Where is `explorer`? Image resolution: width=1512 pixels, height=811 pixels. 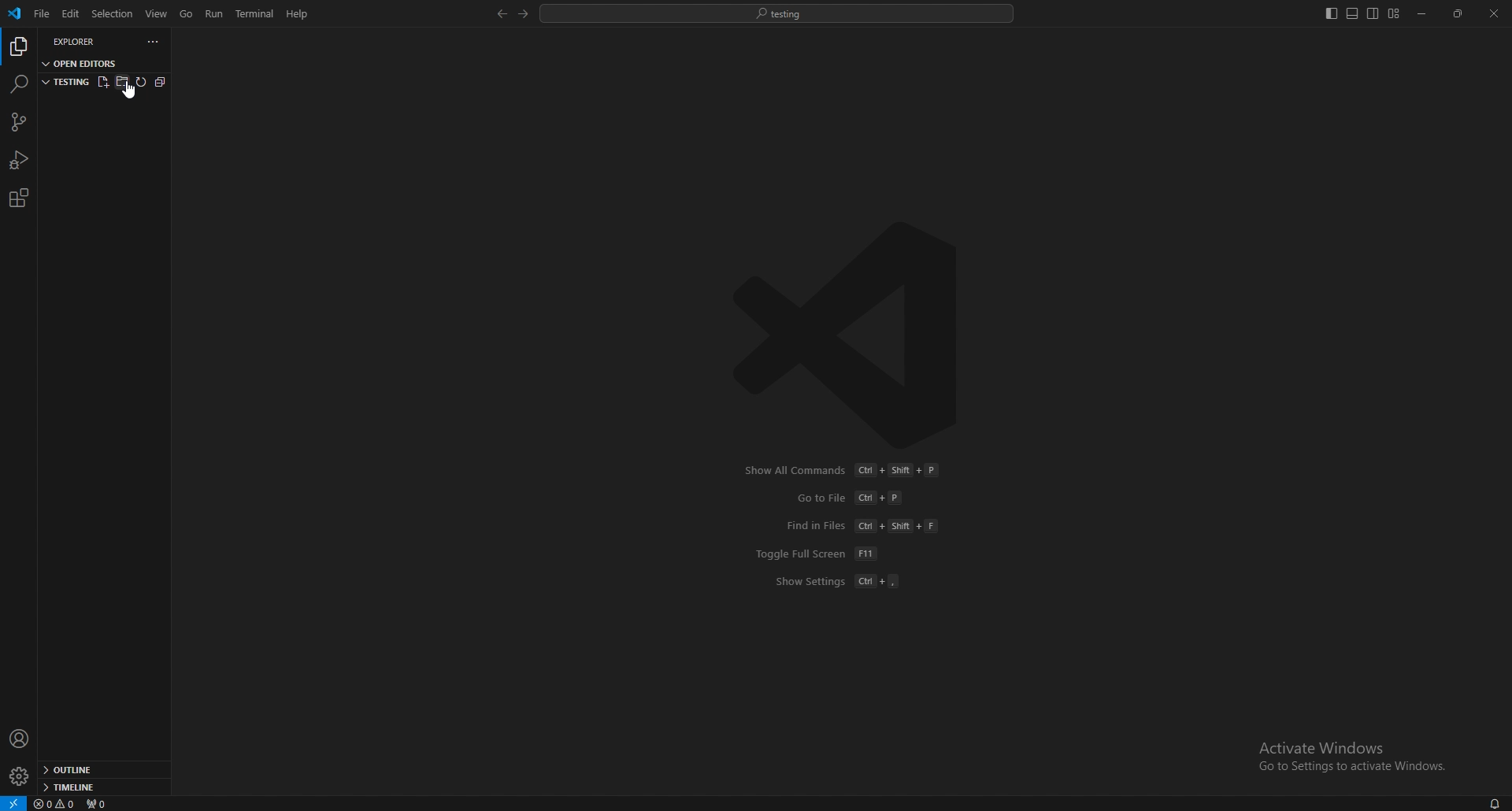
explorer is located at coordinates (18, 47).